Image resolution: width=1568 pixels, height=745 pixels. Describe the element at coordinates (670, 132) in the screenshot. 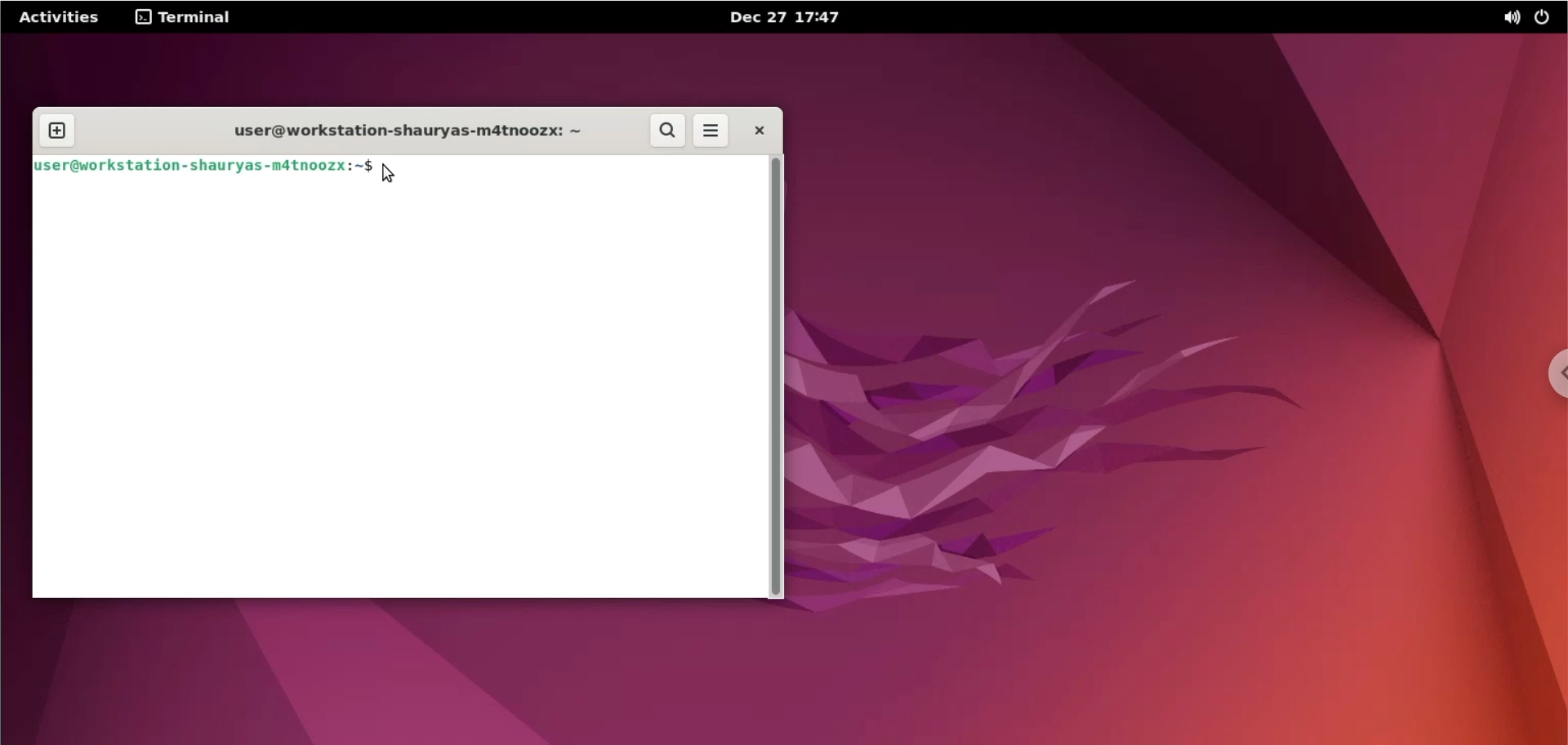

I see `search button` at that location.